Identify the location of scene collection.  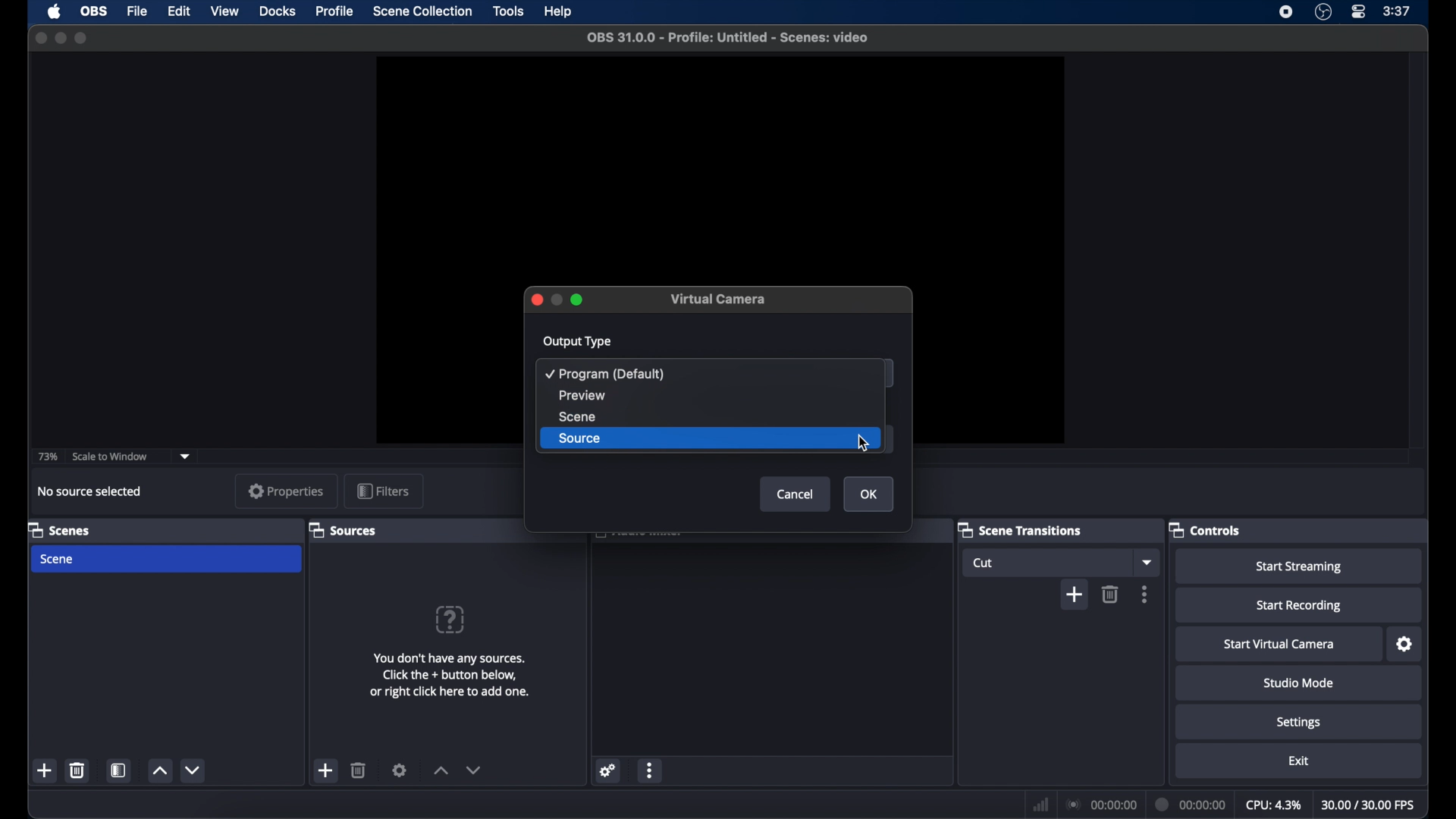
(422, 11).